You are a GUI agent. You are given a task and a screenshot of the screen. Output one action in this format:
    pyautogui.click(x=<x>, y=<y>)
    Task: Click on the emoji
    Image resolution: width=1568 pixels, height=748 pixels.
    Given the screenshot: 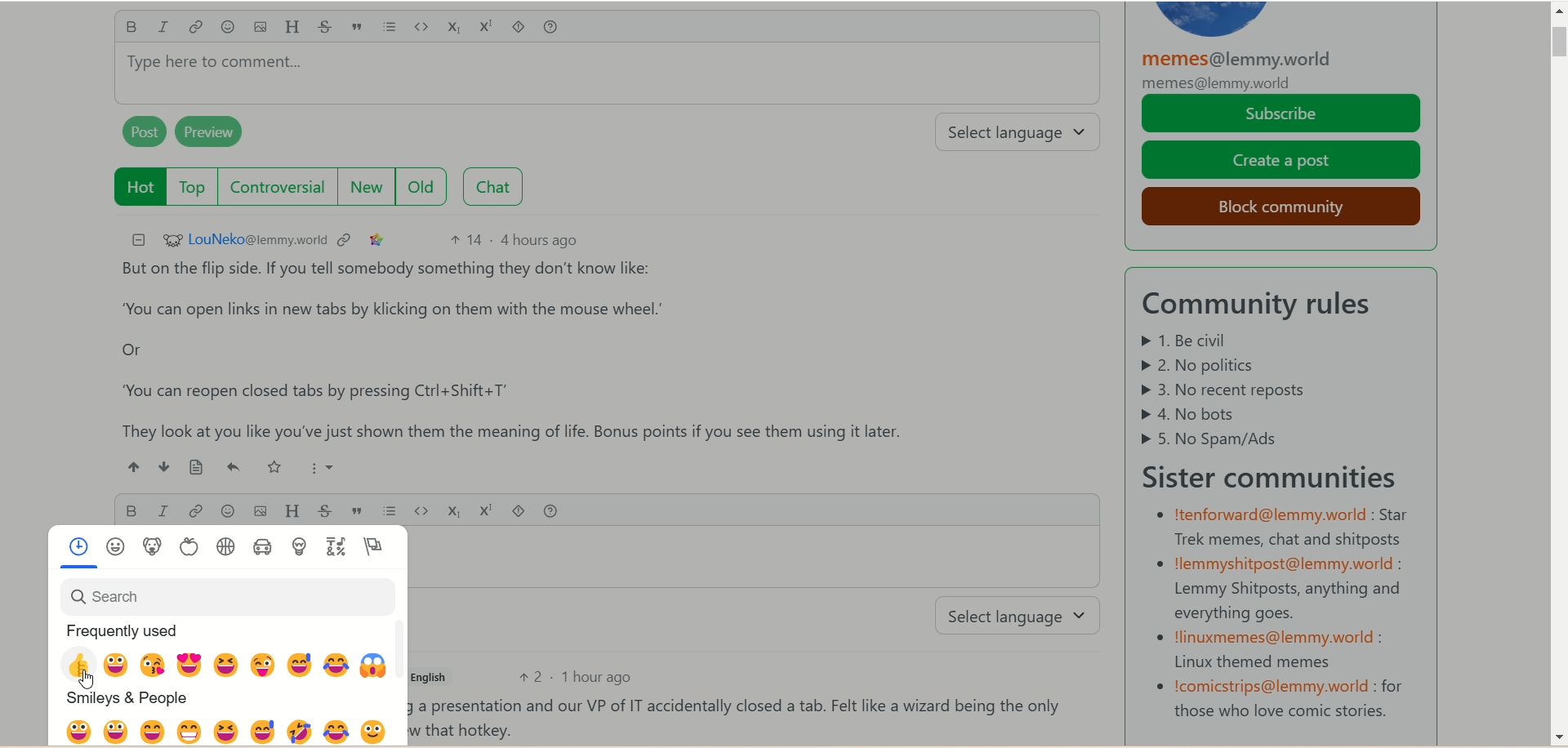 What is the action you would take?
    pyautogui.click(x=232, y=470)
    